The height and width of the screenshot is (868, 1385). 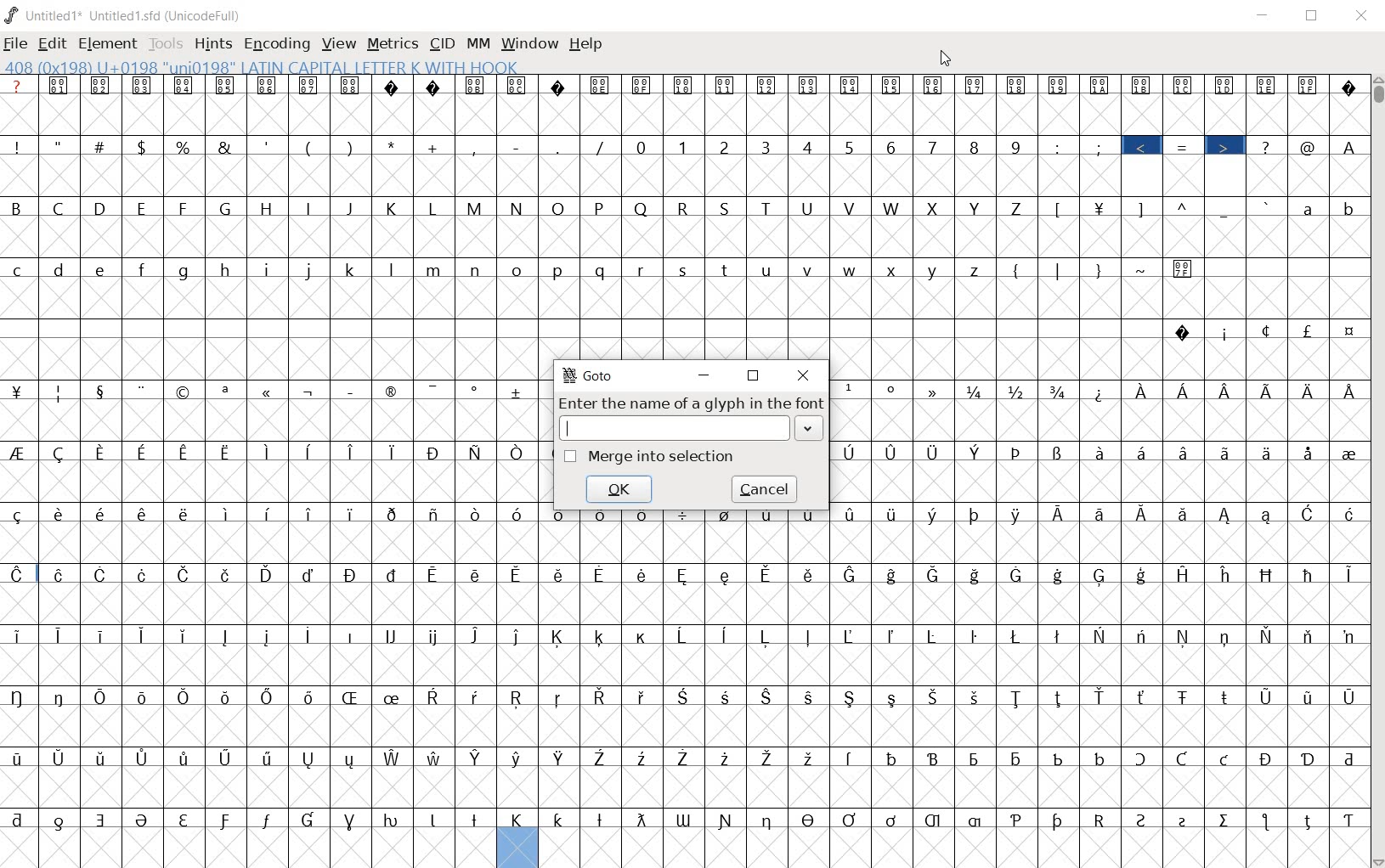 What do you see at coordinates (1102, 358) in the screenshot?
I see `empty glyph slots` at bounding box center [1102, 358].